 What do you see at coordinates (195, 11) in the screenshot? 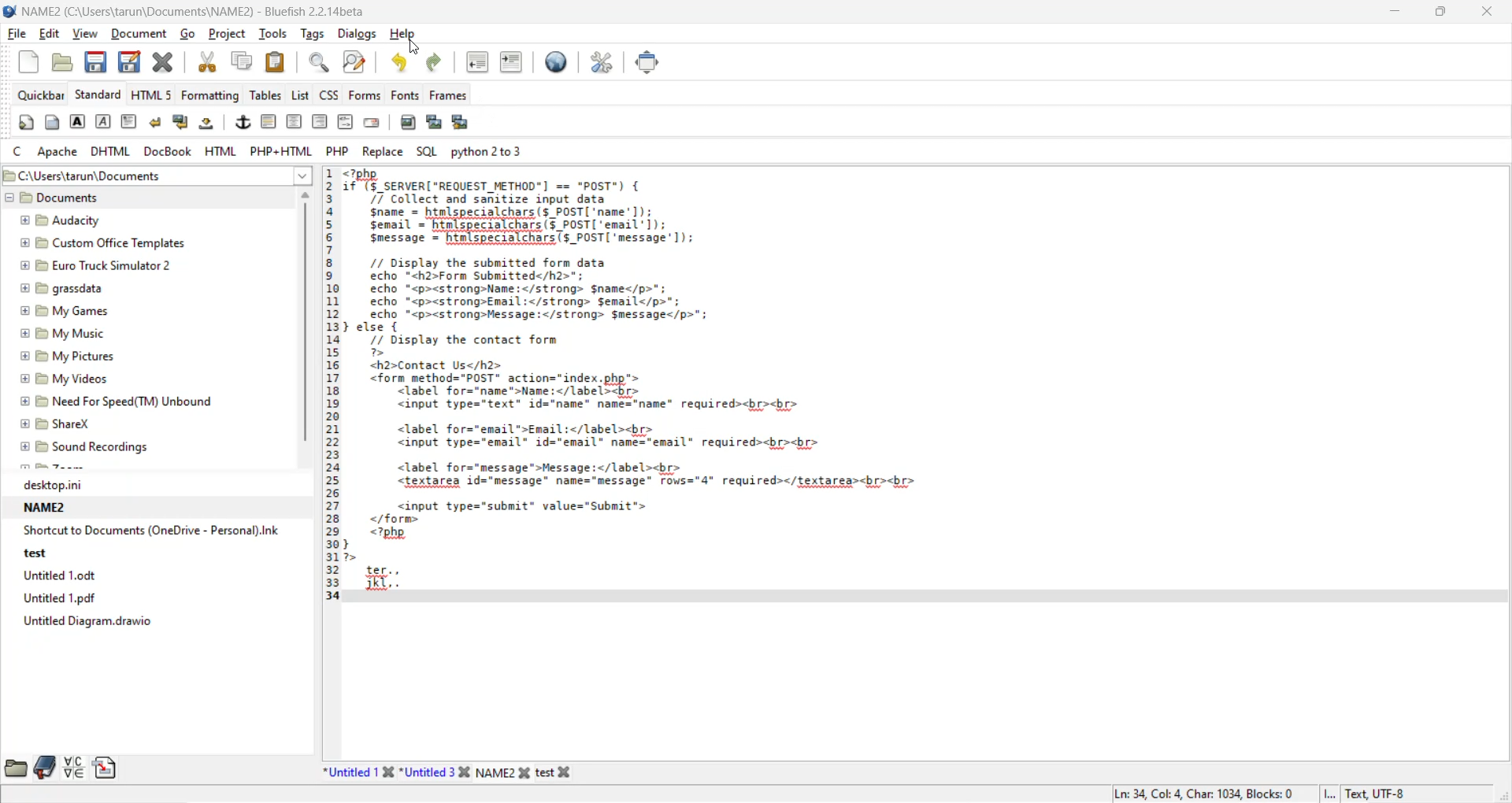
I see `file name and app name` at bounding box center [195, 11].